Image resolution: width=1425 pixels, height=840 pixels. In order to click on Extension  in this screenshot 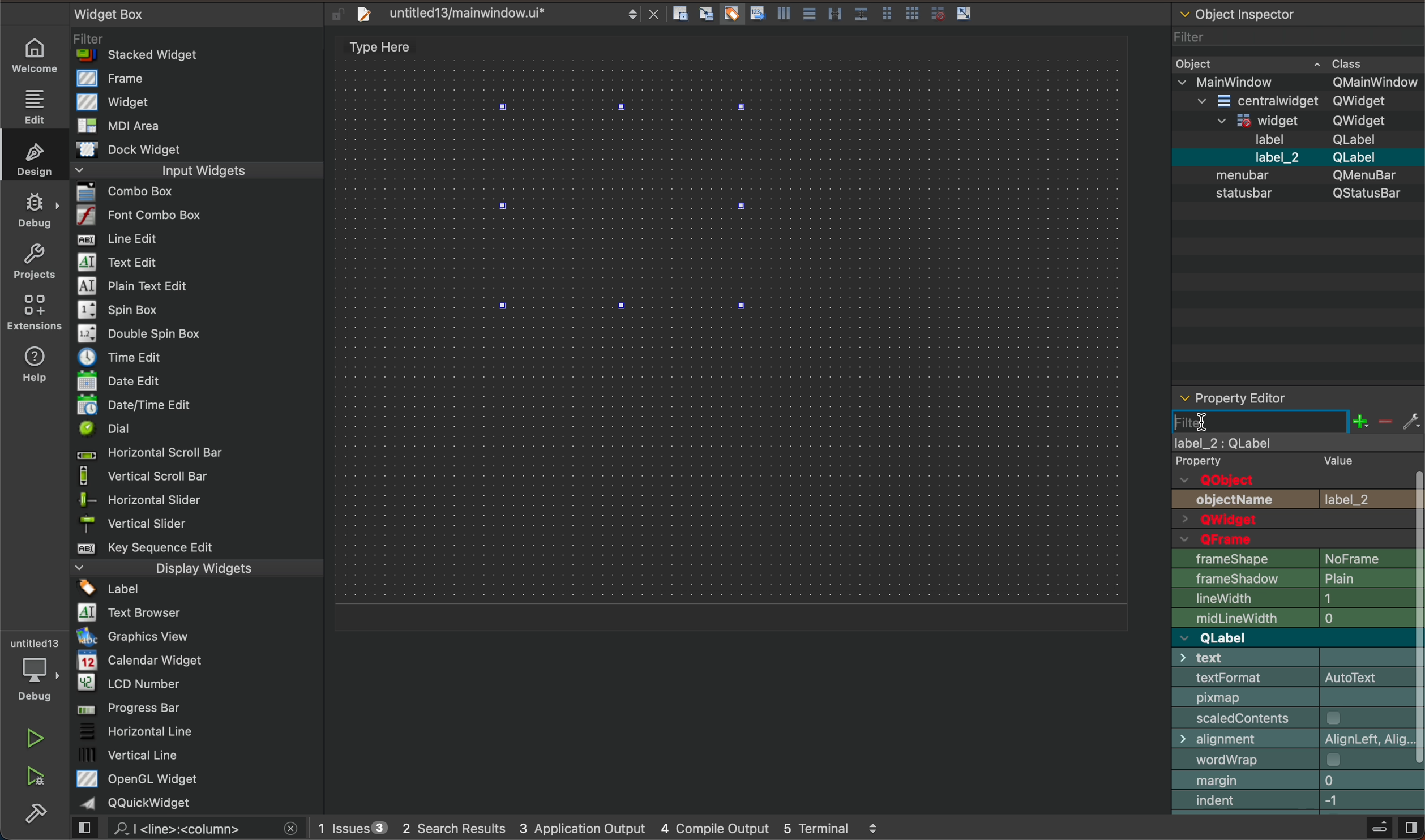, I will do `click(34, 312)`.